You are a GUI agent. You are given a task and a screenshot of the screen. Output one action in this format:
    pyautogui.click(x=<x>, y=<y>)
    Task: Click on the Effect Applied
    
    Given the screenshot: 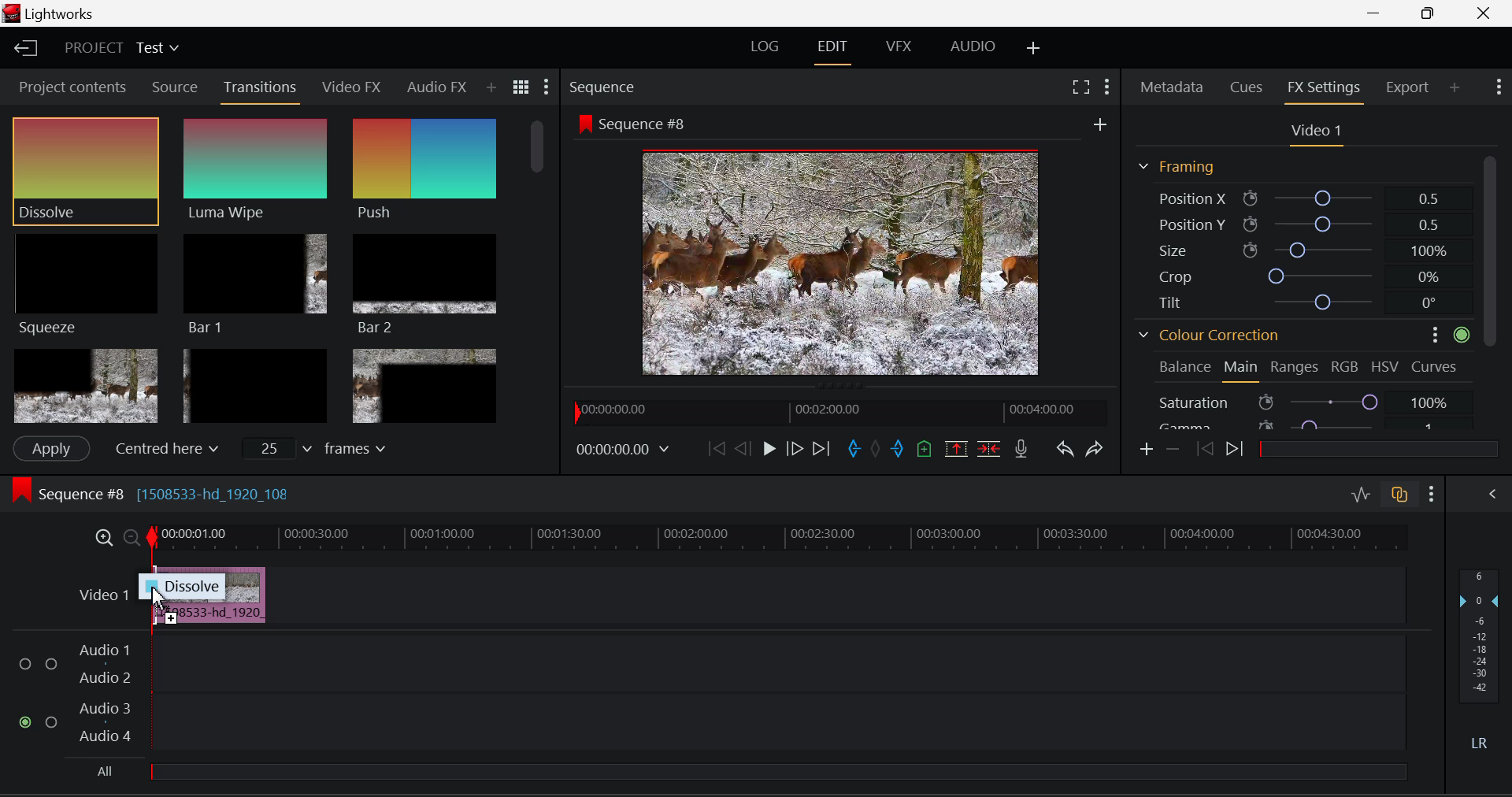 What is the action you would take?
    pyautogui.click(x=220, y=610)
    